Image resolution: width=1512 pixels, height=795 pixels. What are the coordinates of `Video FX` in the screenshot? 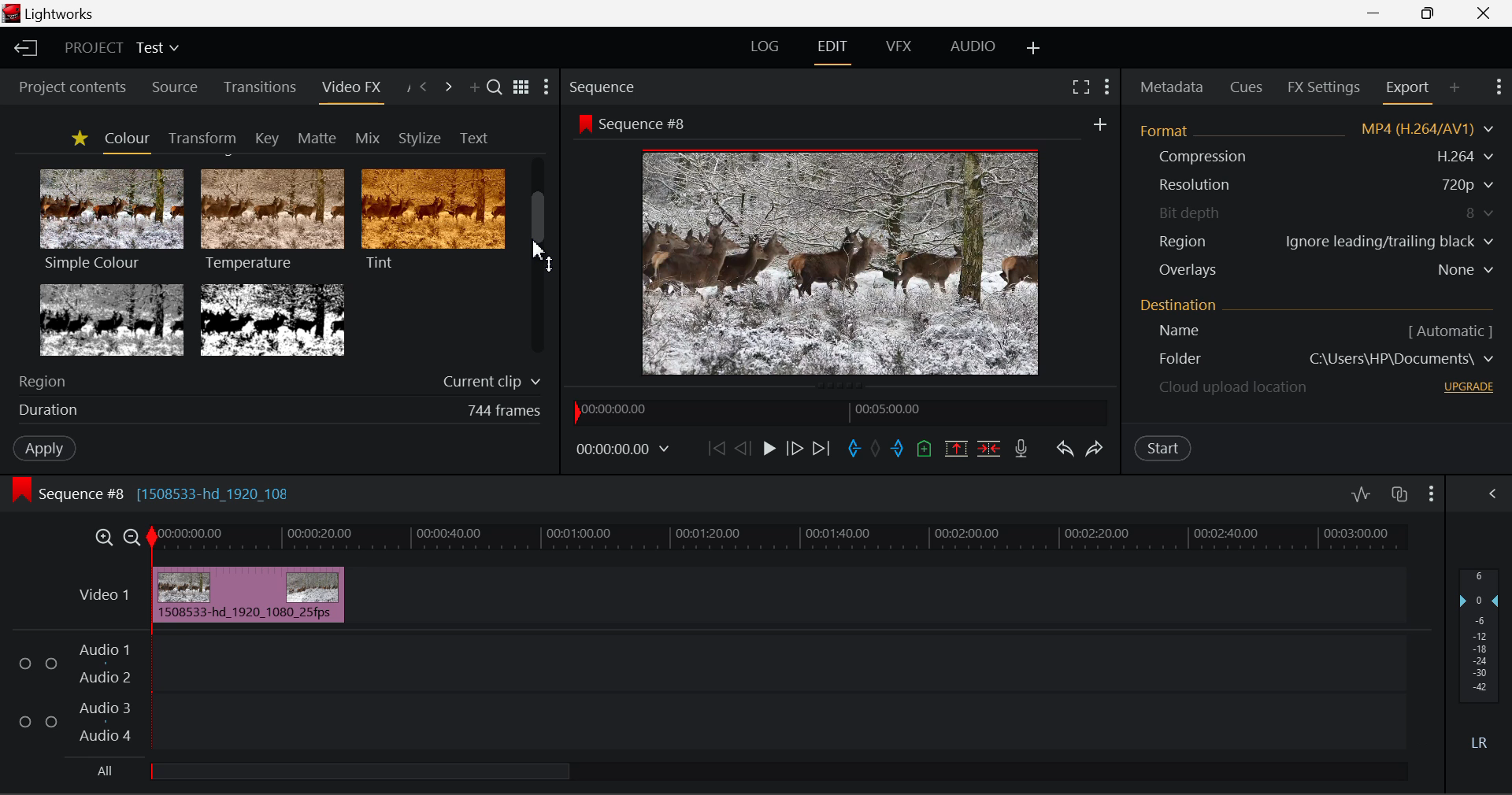 It's located at (350, 92).